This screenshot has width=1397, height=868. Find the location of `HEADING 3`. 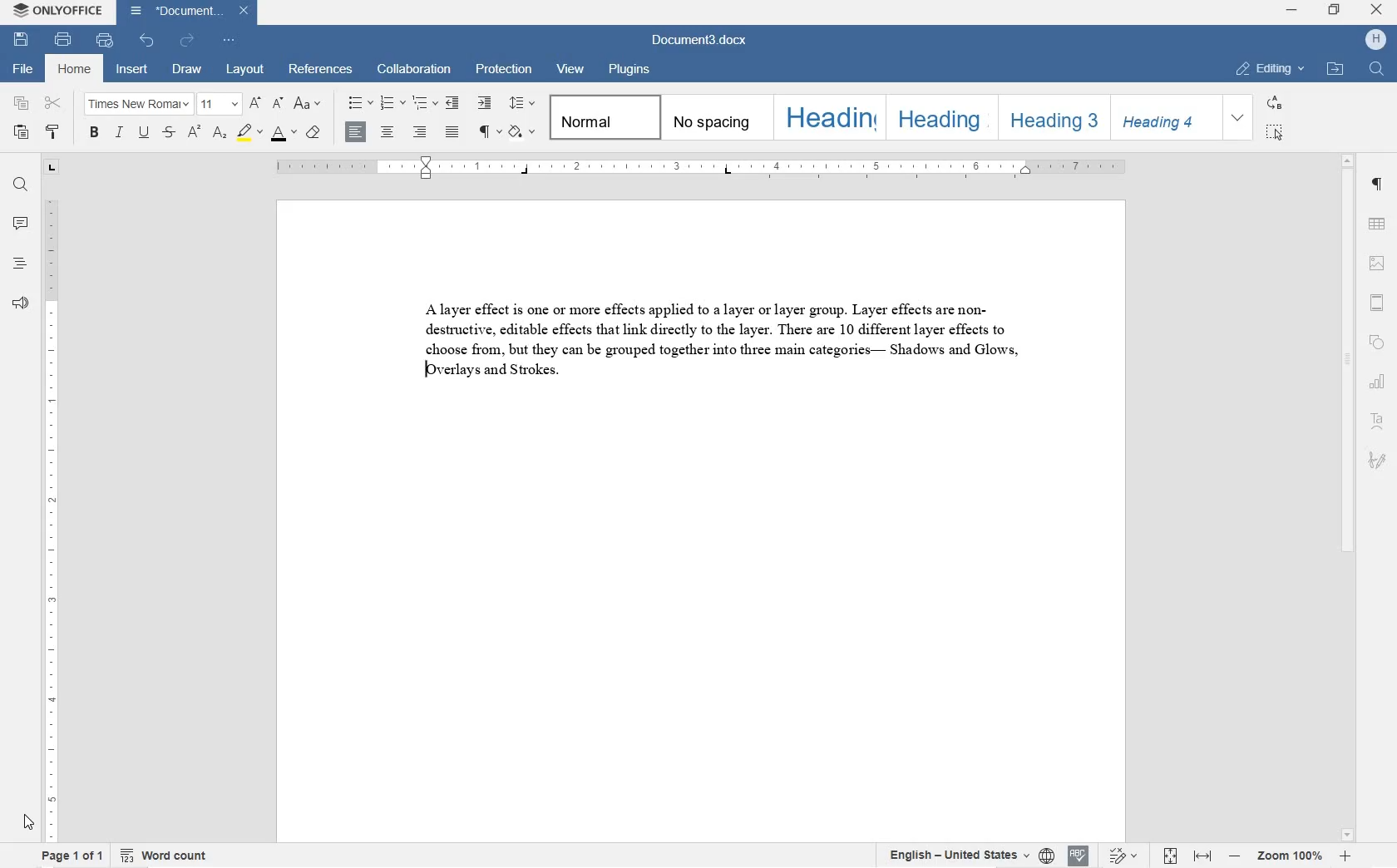

HEADING 3 is located at coordinates (1049, 116).